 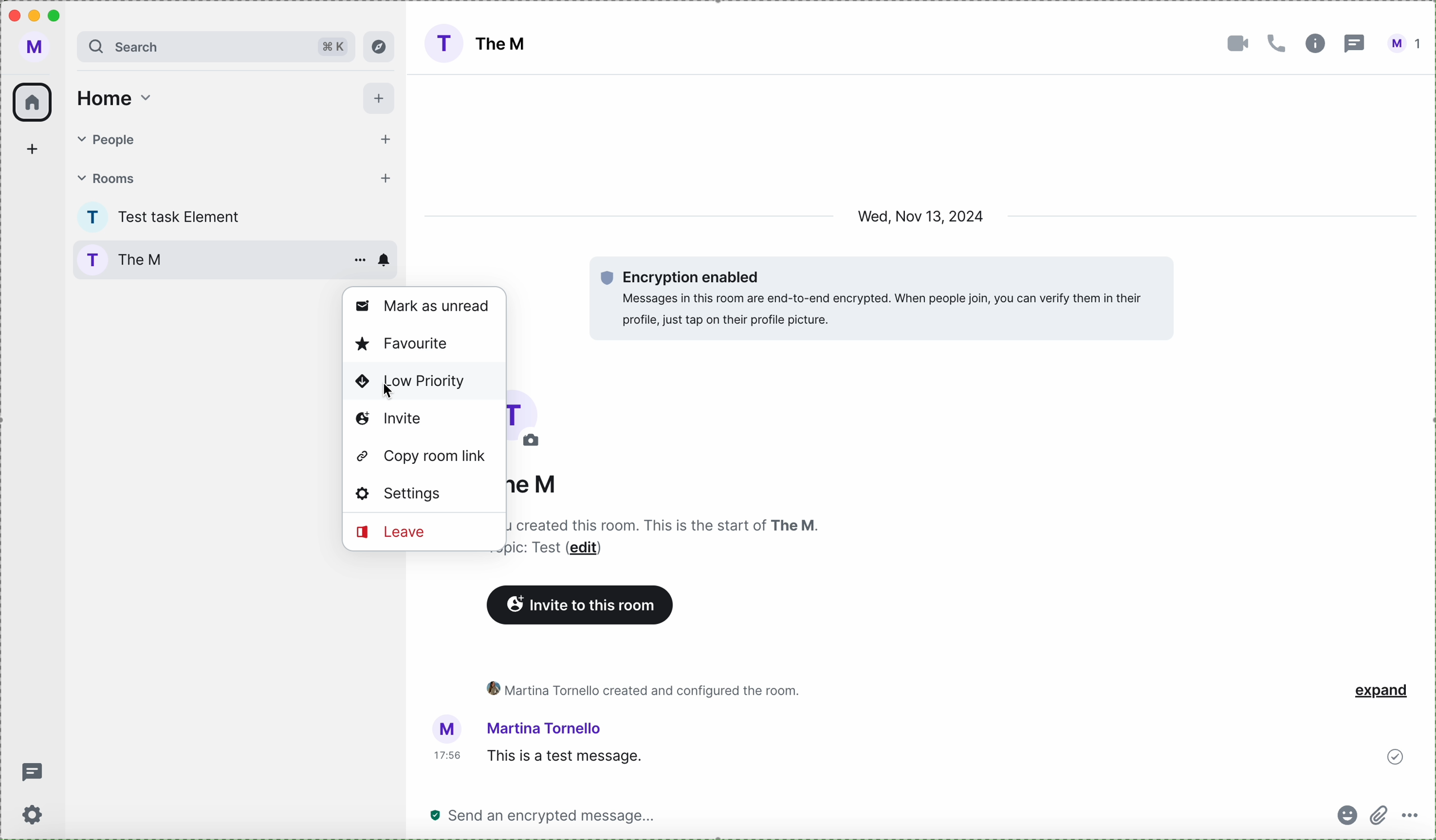 What do you see at coordinates (229, 262) in the screenshot?
I see `The M room` at bounding box center [229, 262].